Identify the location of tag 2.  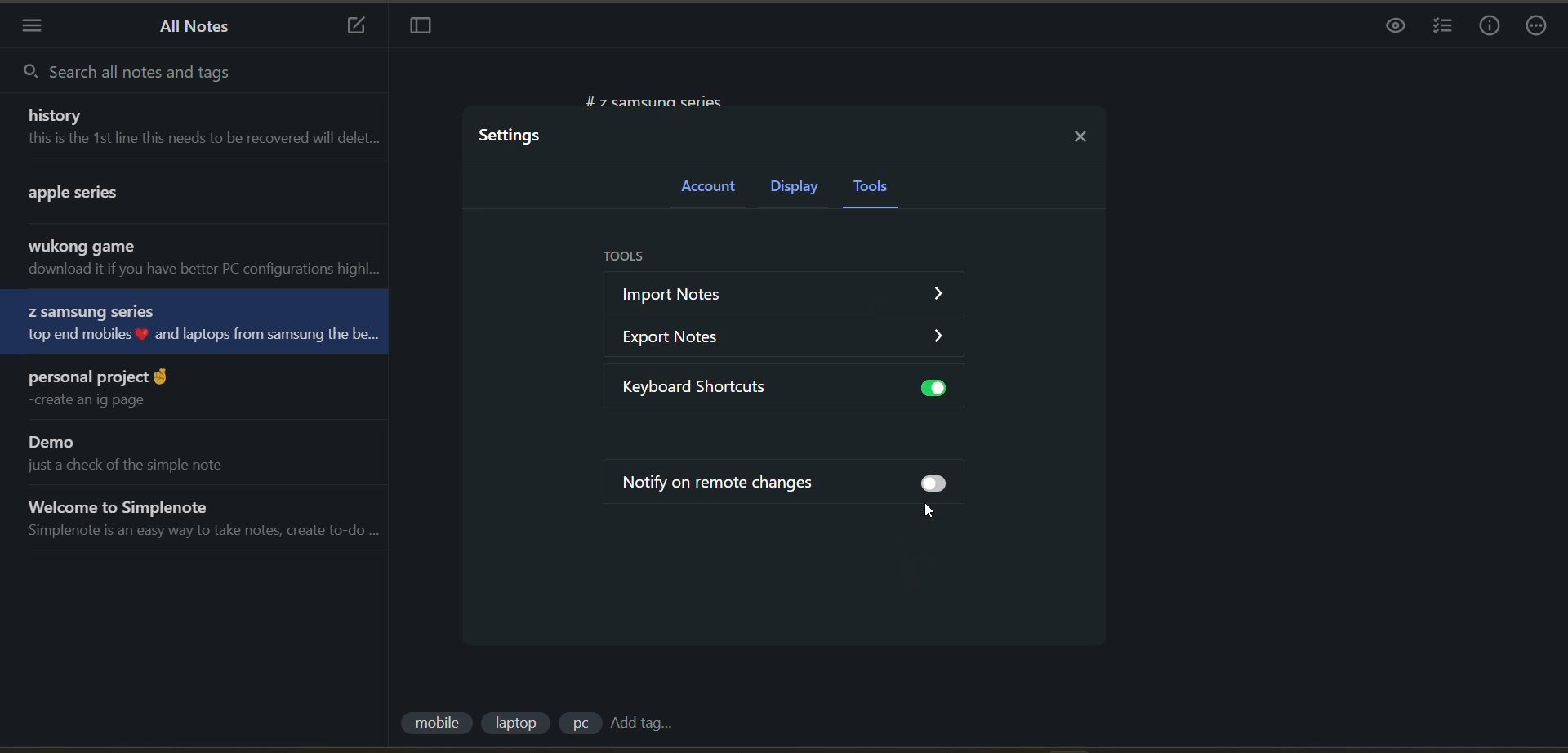
(517, 724).